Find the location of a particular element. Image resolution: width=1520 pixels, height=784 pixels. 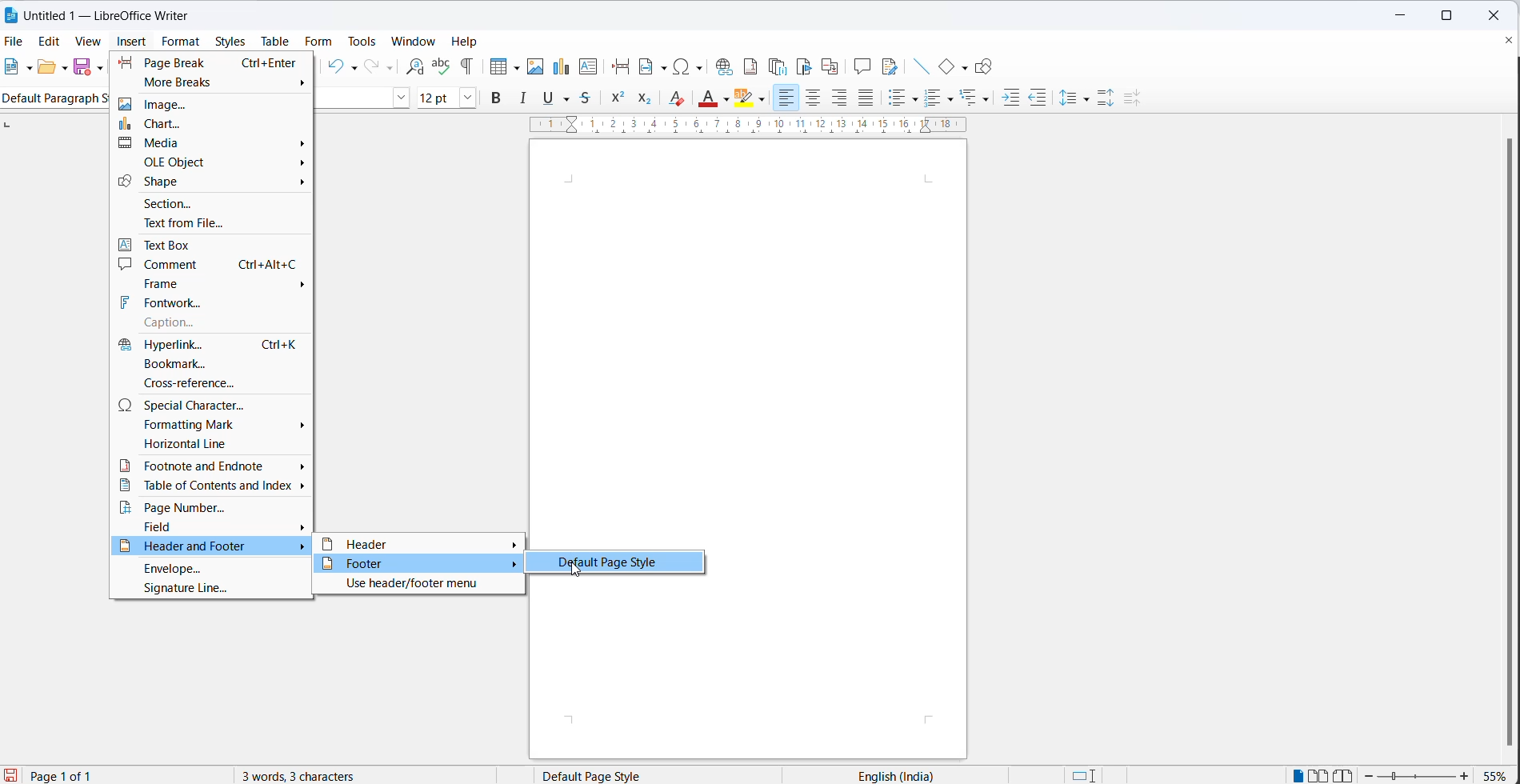

page number is located at coordinates (215, 506).